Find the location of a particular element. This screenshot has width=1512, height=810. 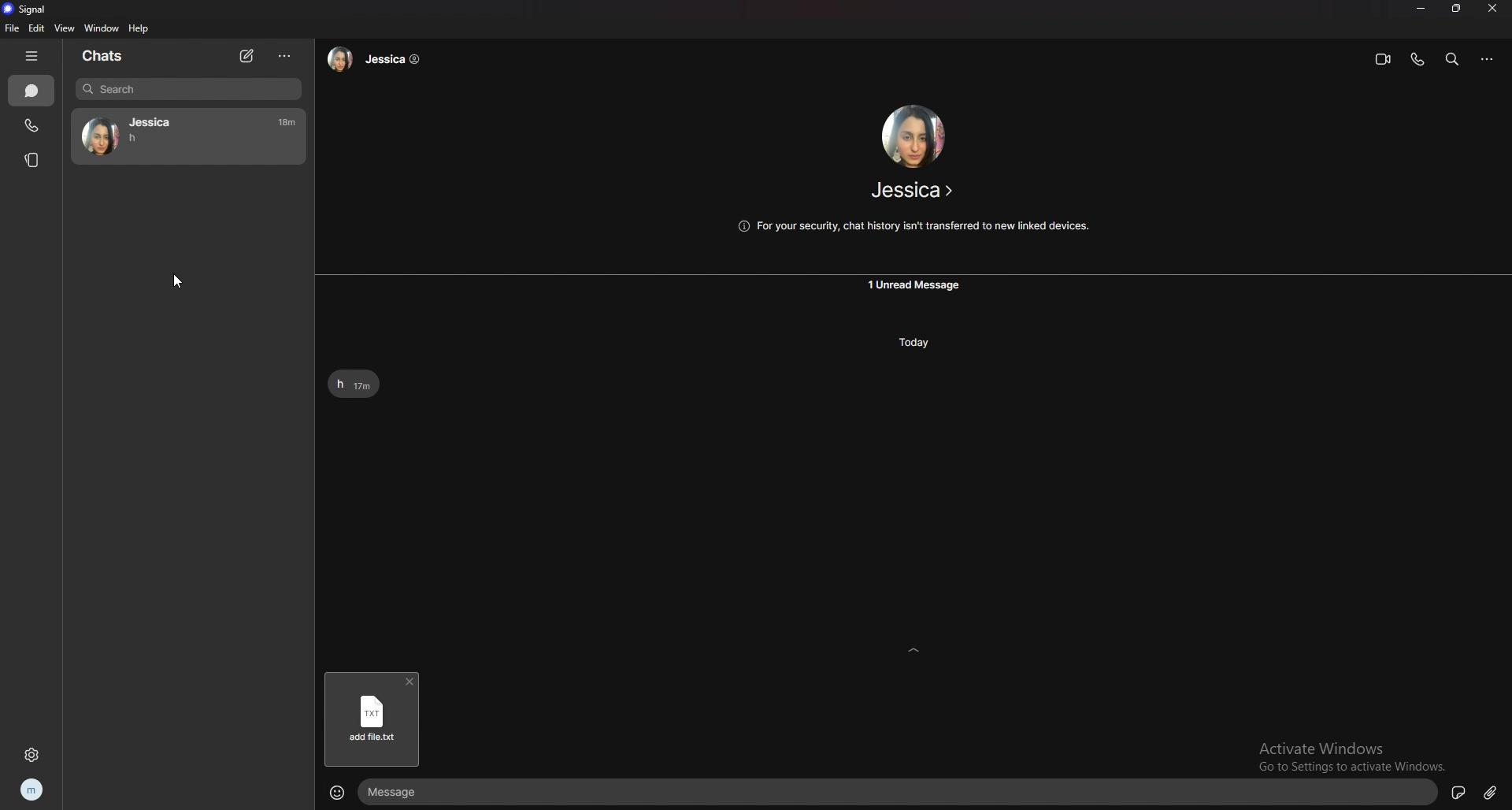

cursor is located at coordinates (178, 281).